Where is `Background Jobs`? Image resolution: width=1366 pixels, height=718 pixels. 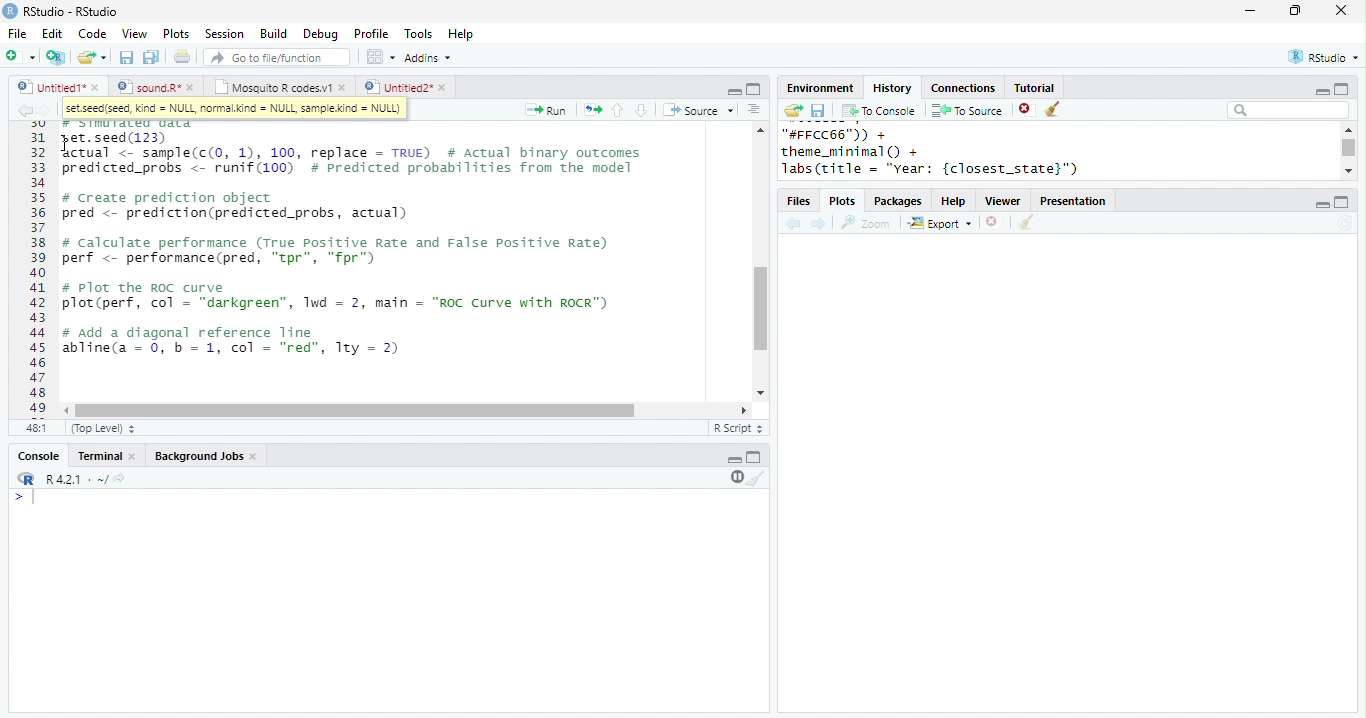
Background Jobs is located at coordinates (198, 456).